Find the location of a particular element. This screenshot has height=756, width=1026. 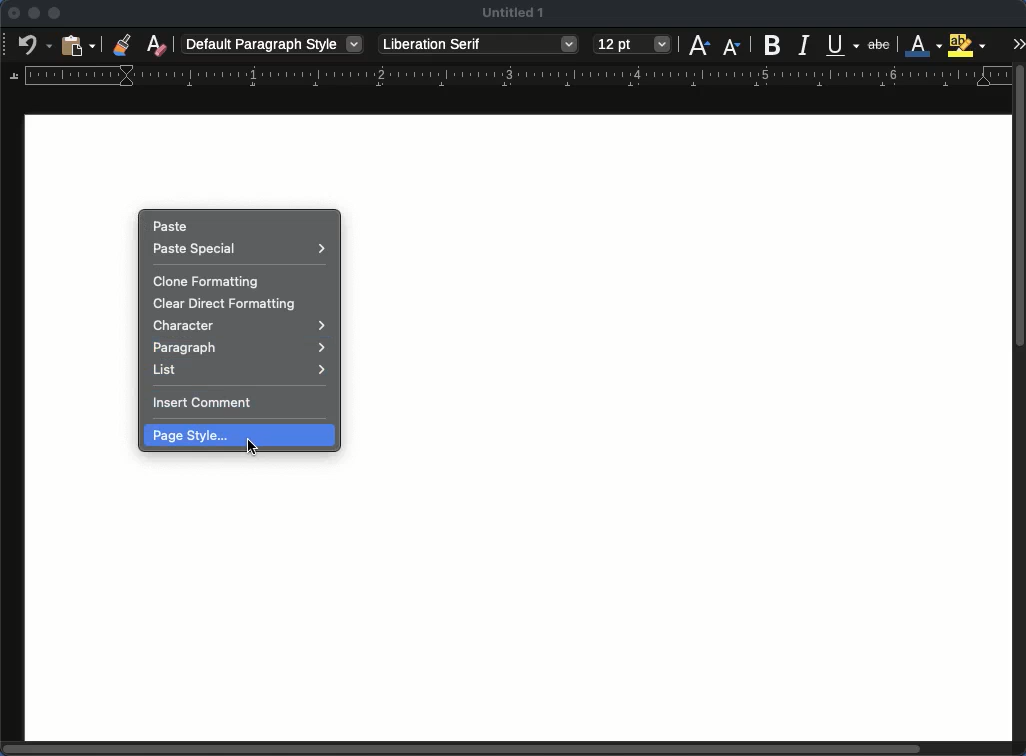

paragraph is located at coordinates (239, 349).